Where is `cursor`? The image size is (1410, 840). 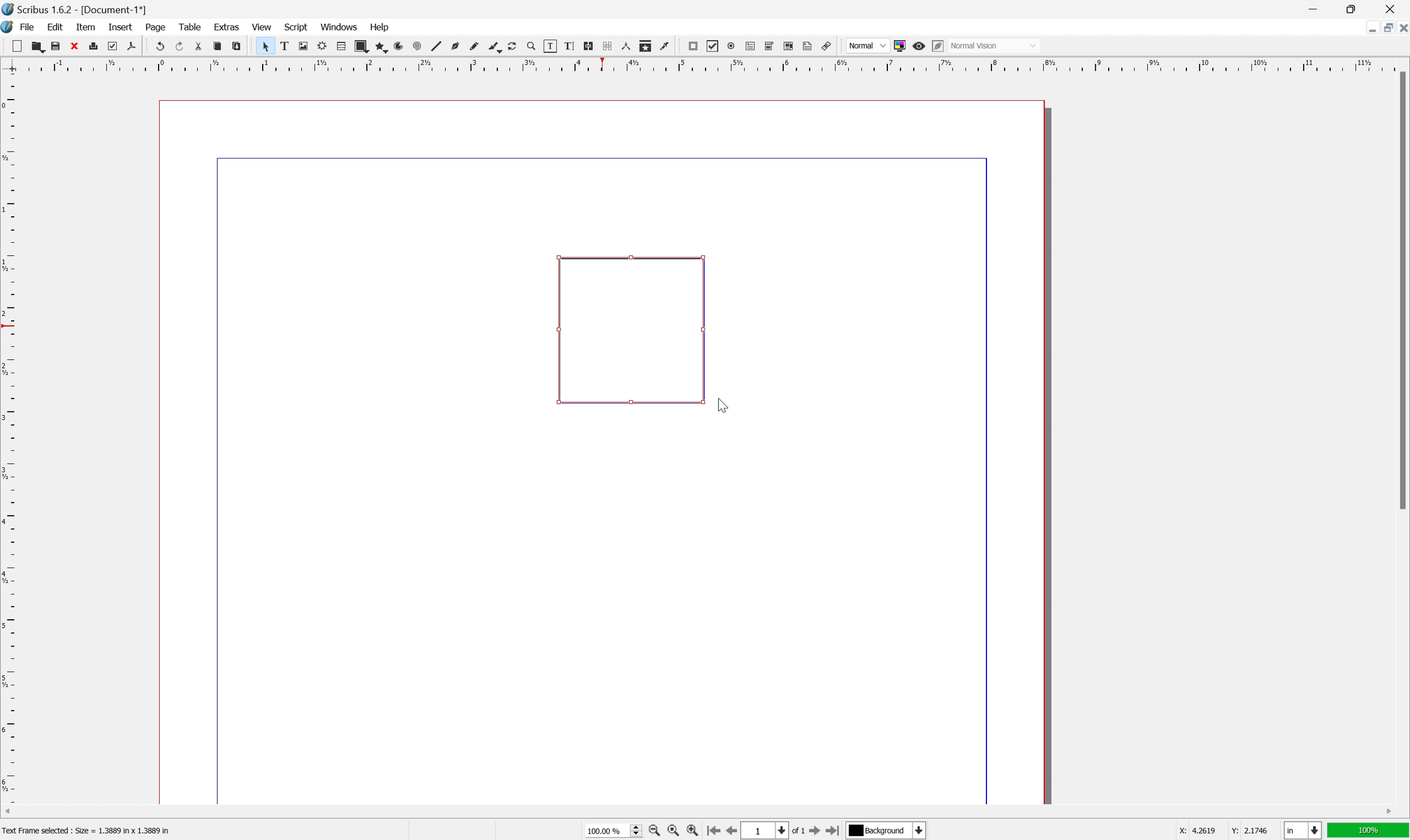 cursor is located at coordinates (720, 406).